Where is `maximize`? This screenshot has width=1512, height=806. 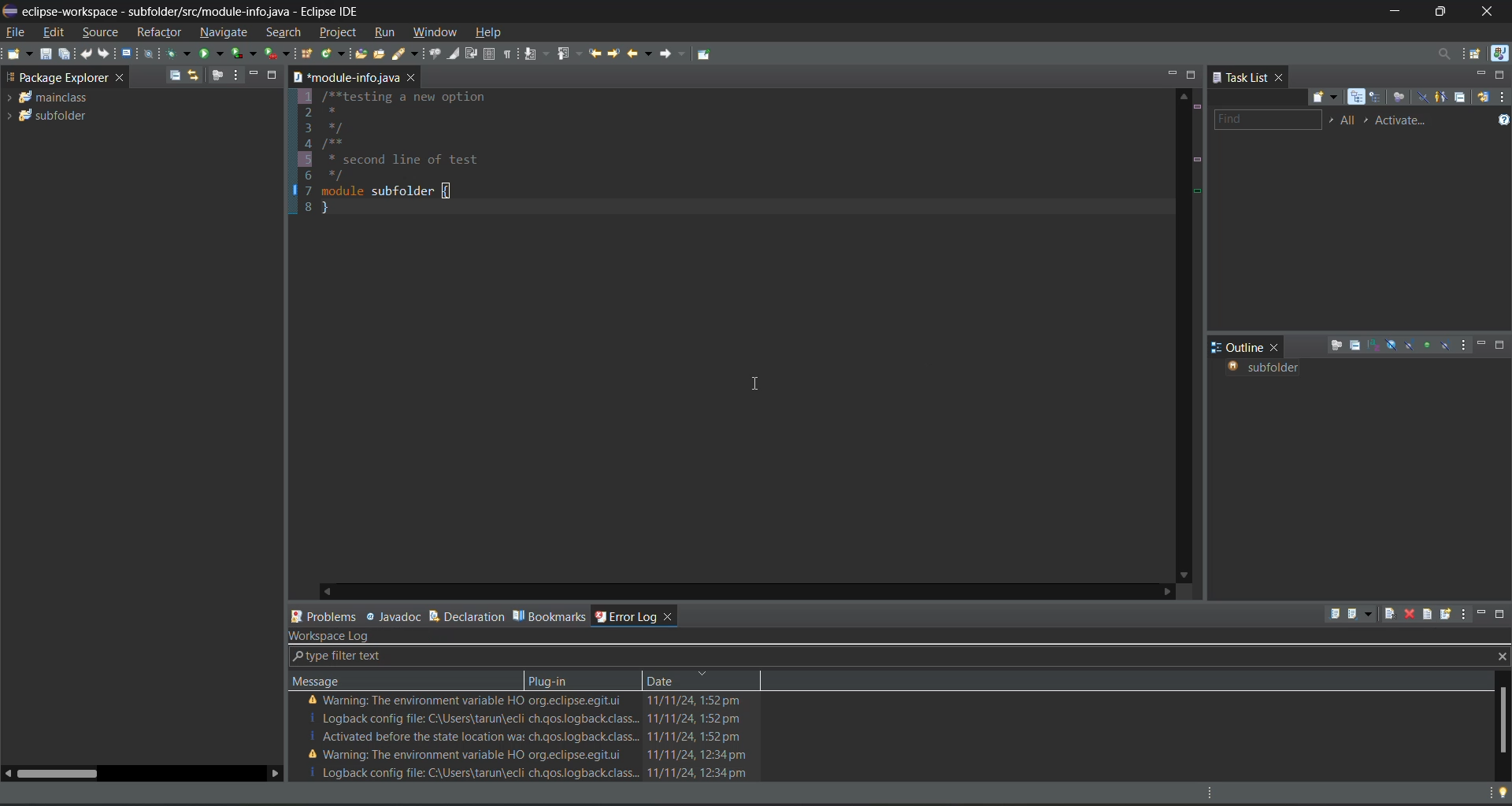 maximize is located at coordinates (1193, 75).